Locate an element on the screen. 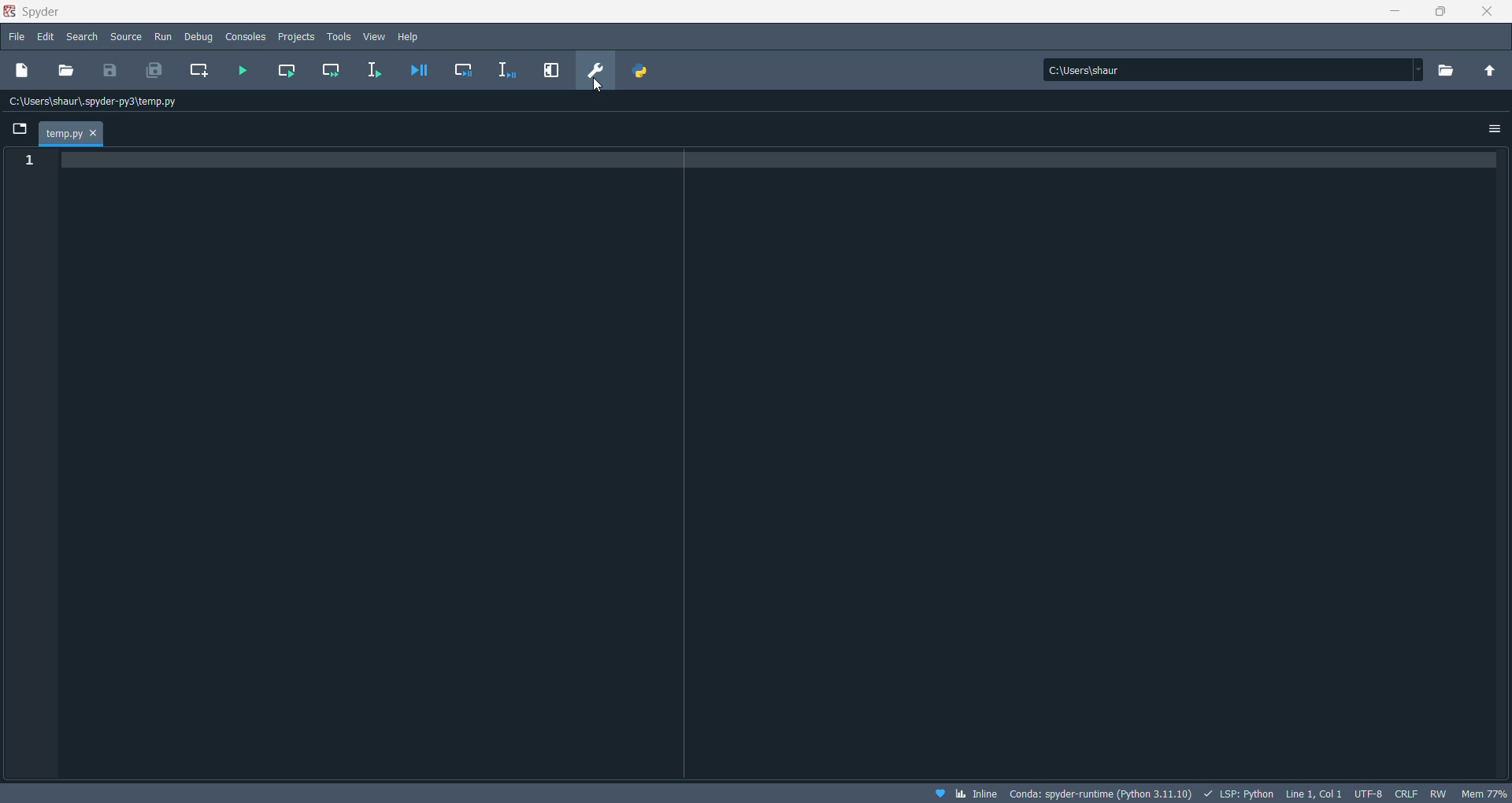 The width and height of the screenshot is (1512, 803). parent directory is located at coordinates (1491, 68).